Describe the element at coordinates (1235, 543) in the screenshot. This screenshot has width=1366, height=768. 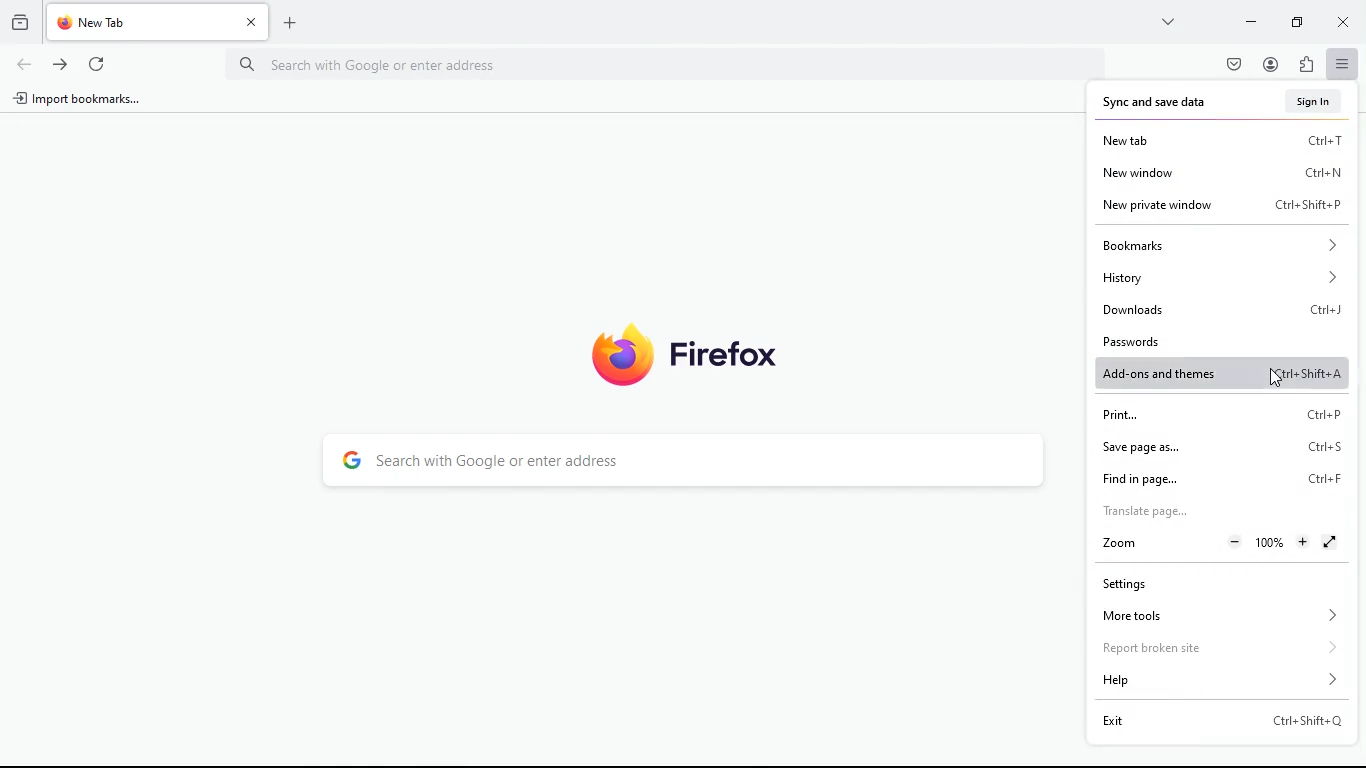
I see `Zoom out` at that location.